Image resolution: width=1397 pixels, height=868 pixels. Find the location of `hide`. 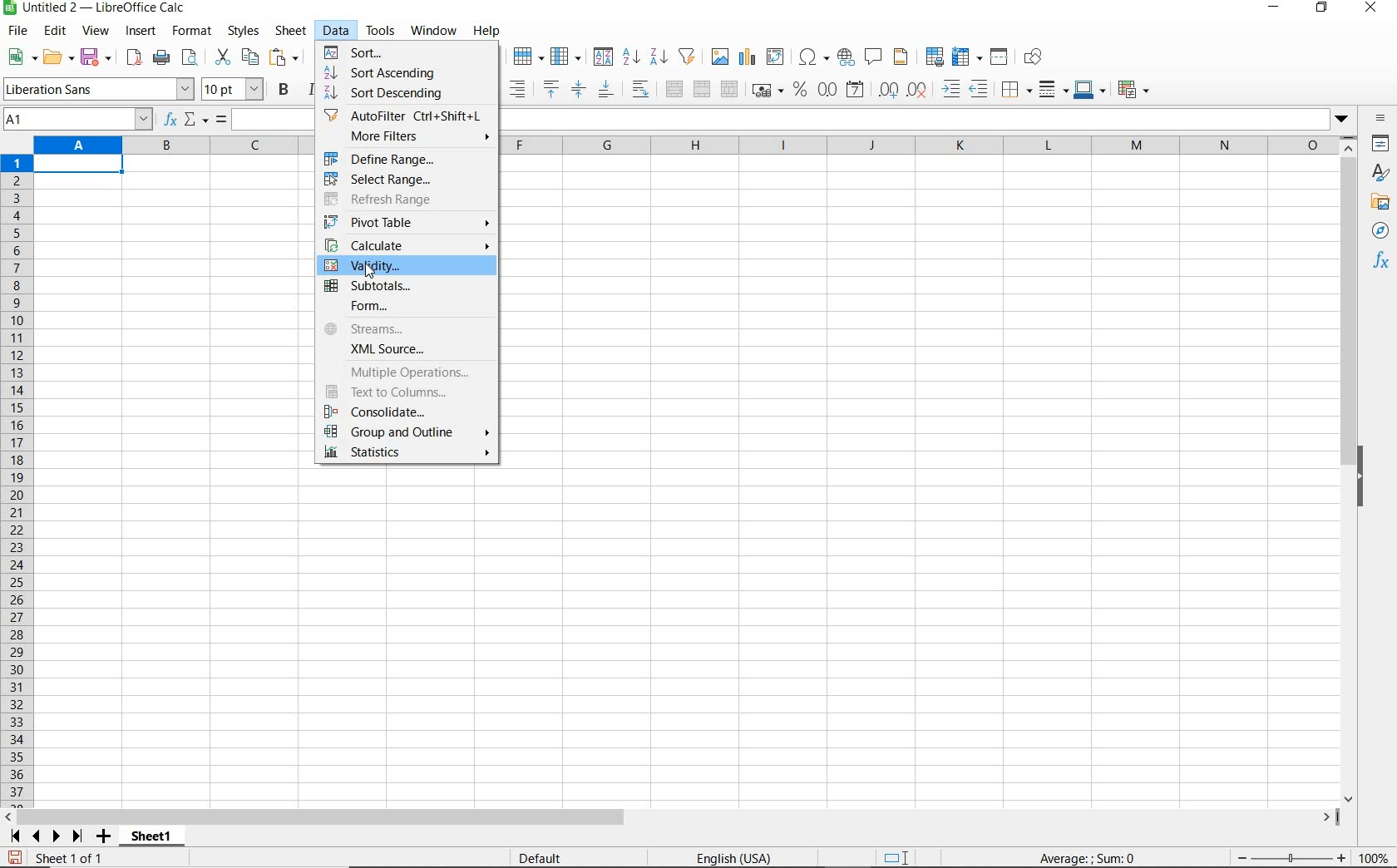

hide is located at coordinates (1362, 479).